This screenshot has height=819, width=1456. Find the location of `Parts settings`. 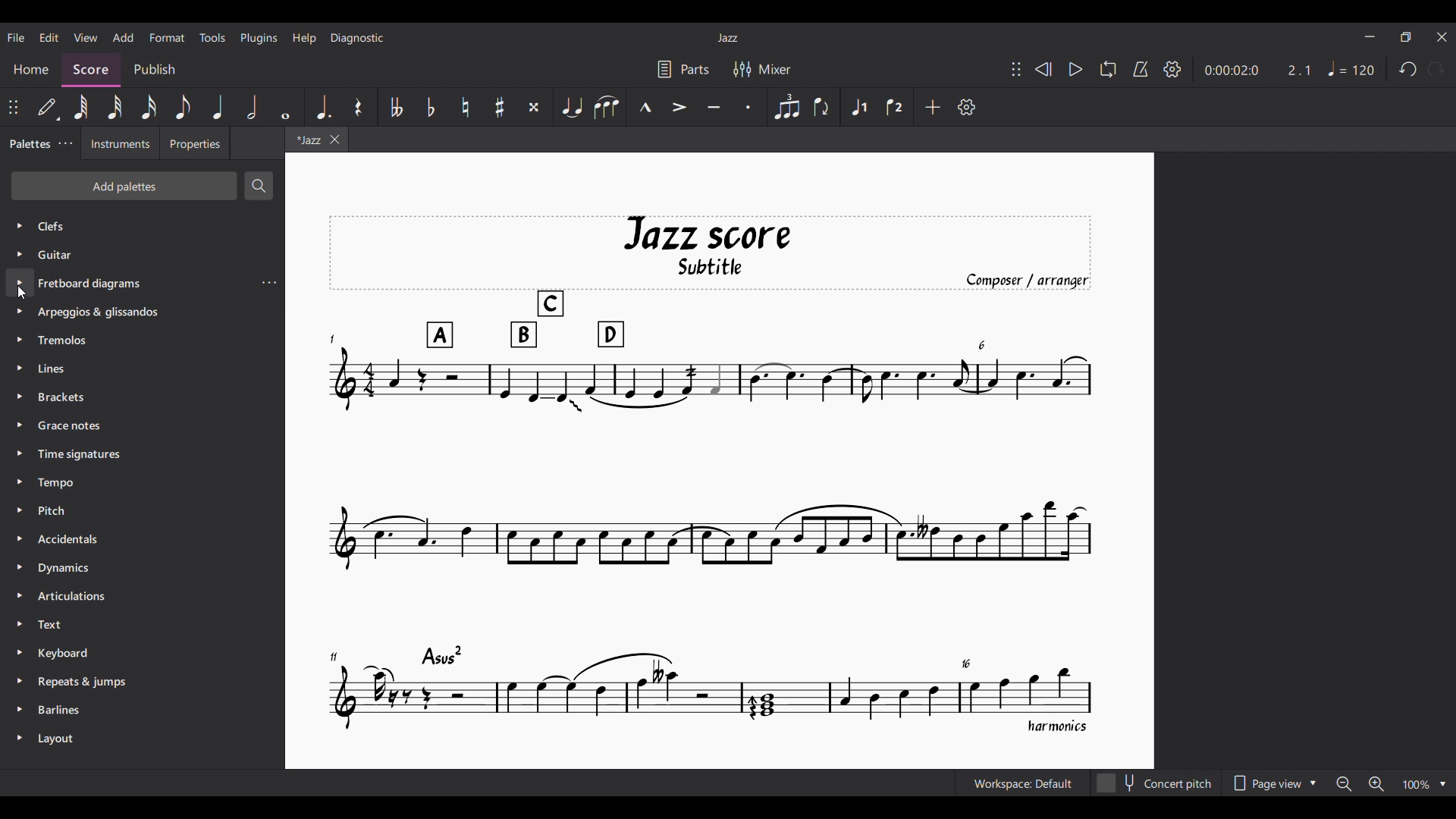

Parts settings is located at coordinates (683, 69).